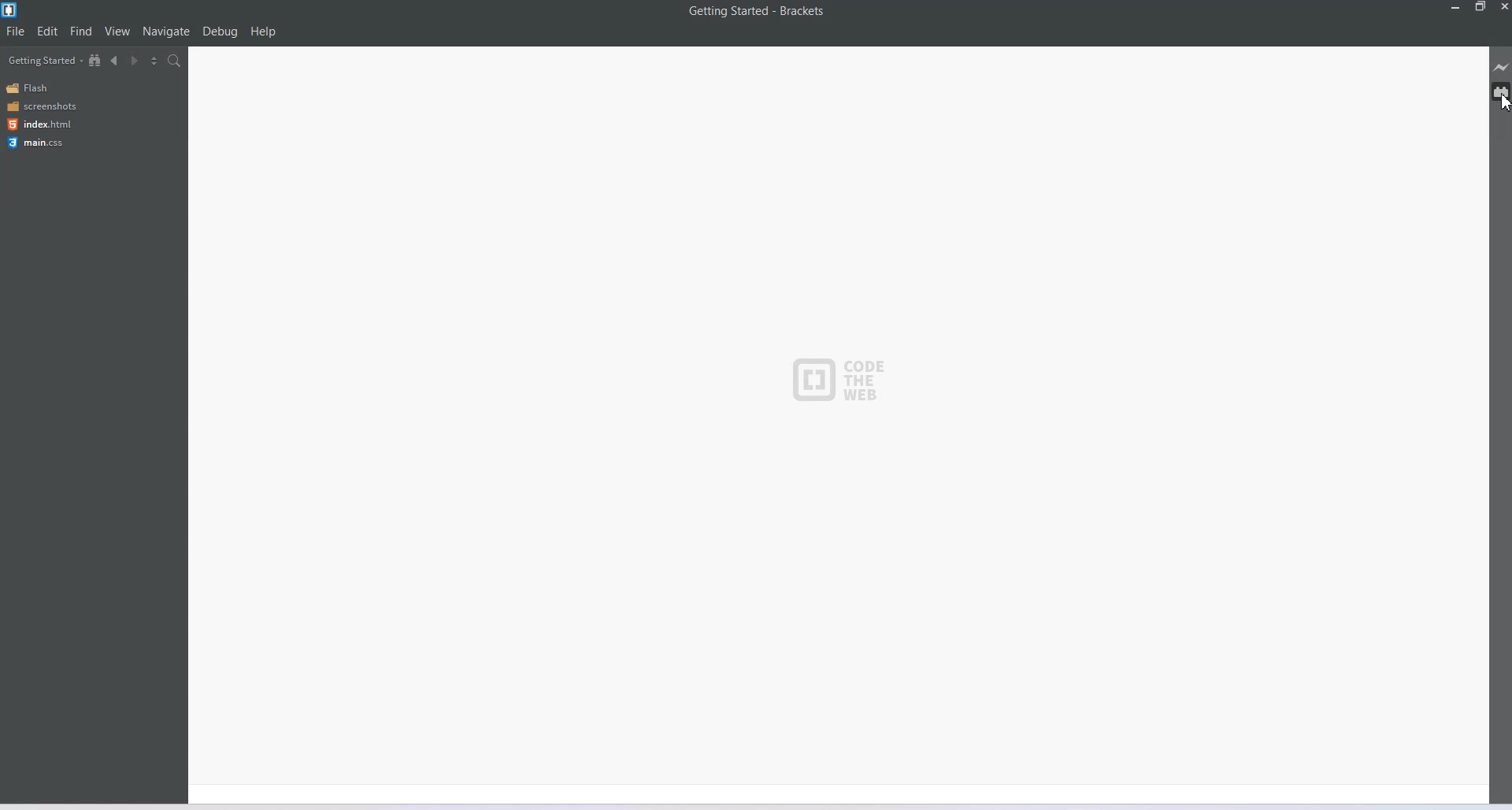 The height and width of the screenshot is (810, 1512). What do you see at coordinates (1503, 102) in the screenshot?
I see `cursor` at bounding box center [1503, 102].